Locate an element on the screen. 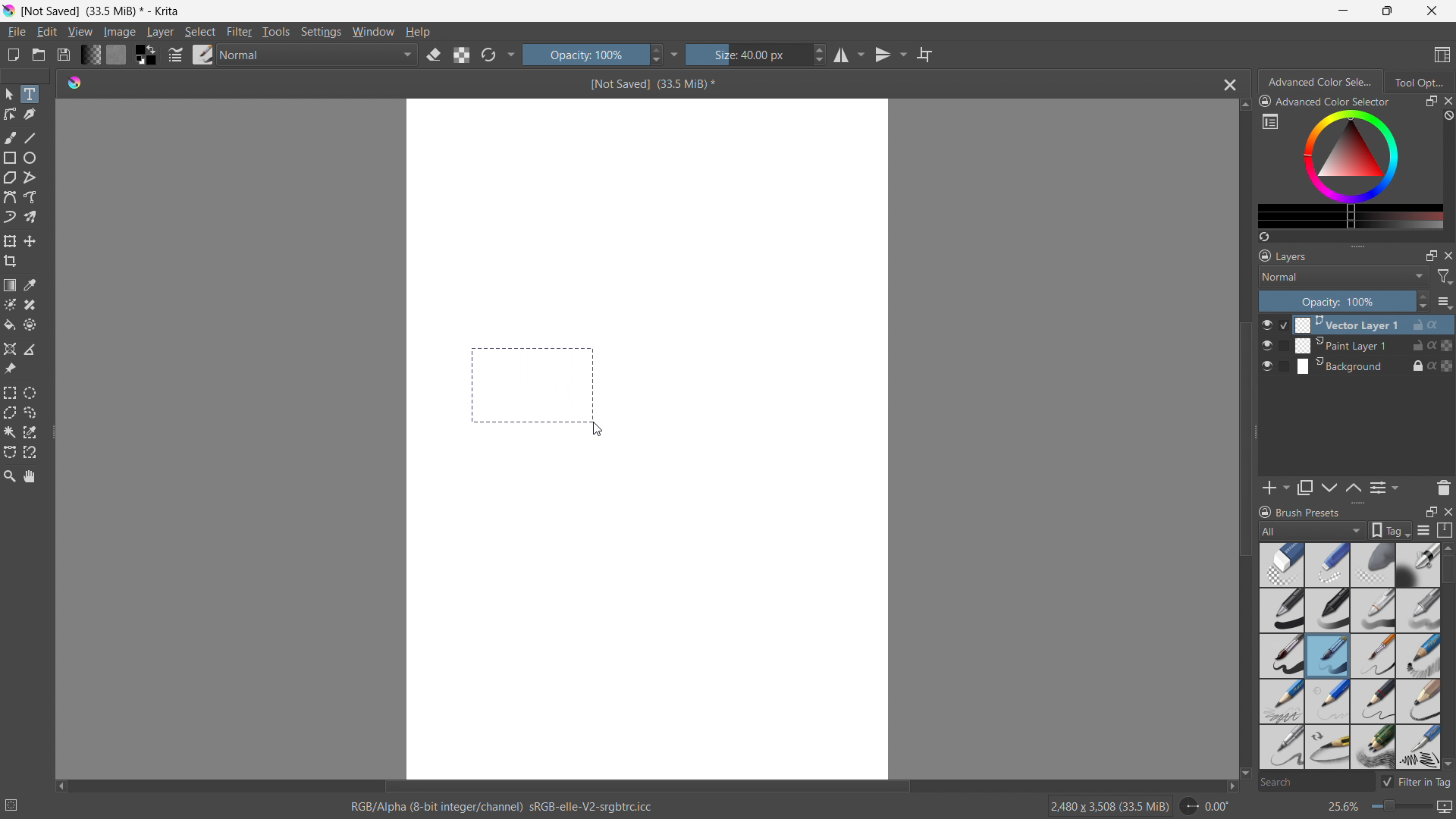 The height and width of the screenshot is (819, 1456). layer is located at coordinates (160, 32).